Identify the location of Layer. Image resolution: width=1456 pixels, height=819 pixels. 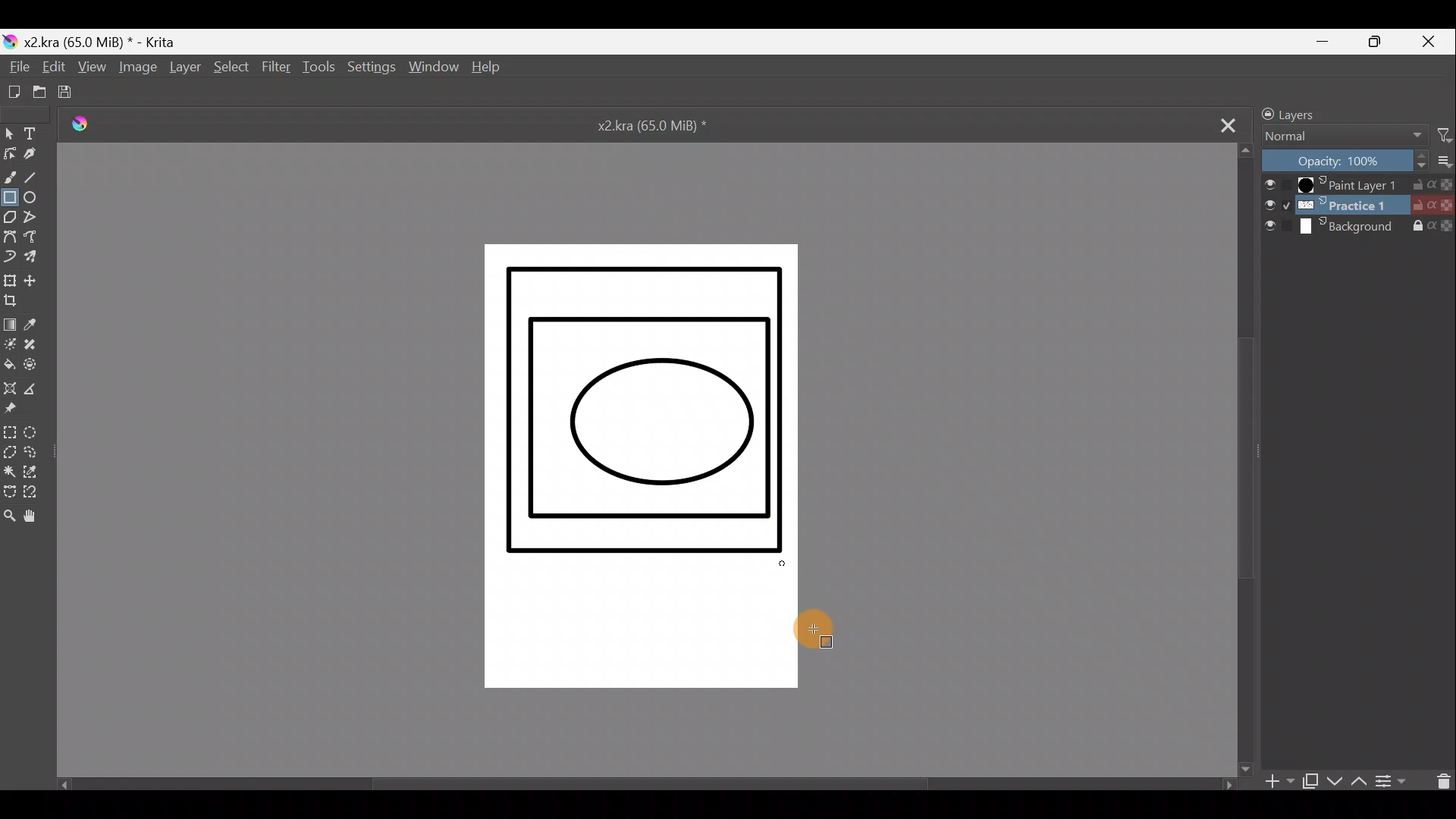
(184, 70).